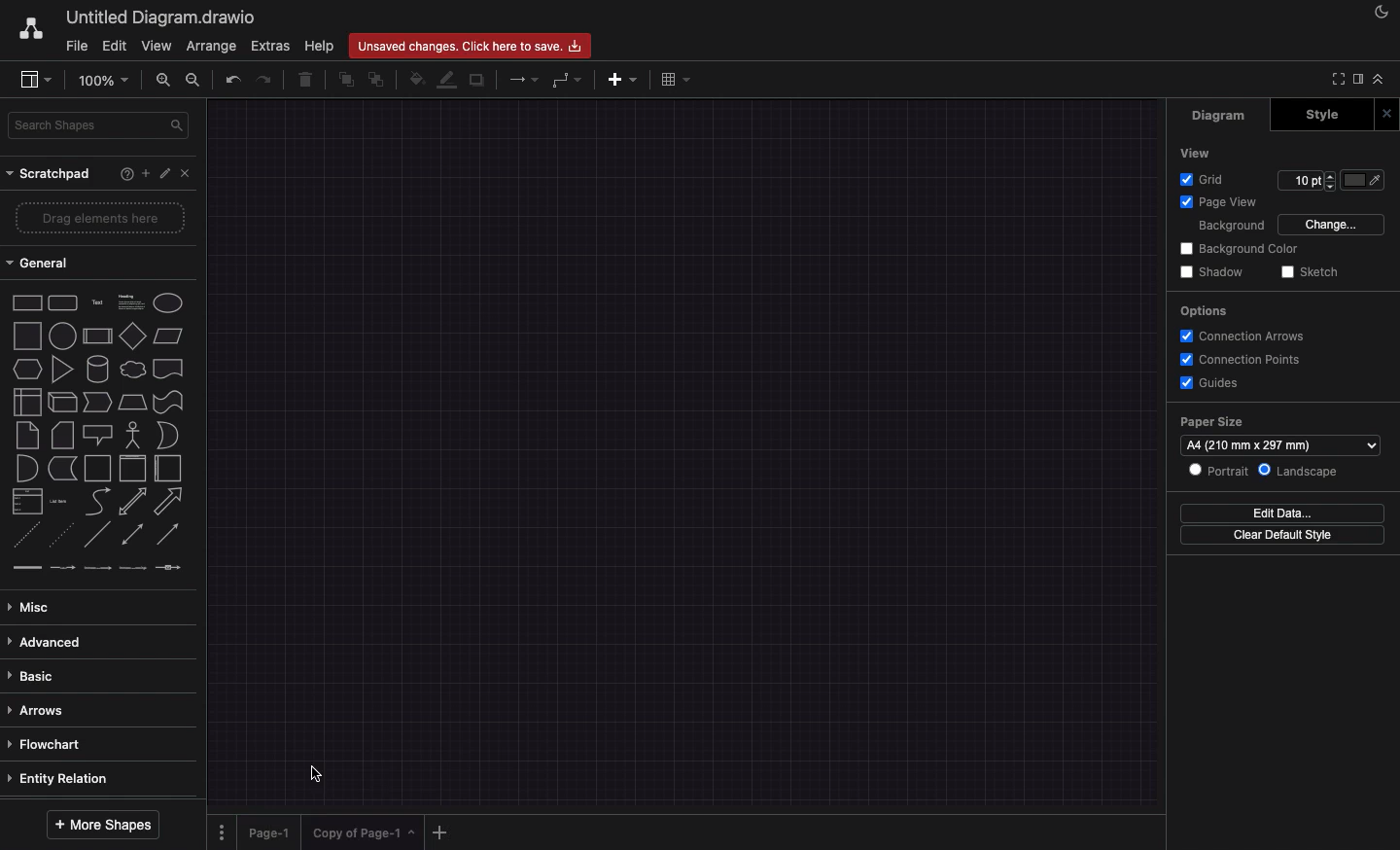 The image size is (1400, 850). What do you see at coordinates (1379, 79) in the screenshot?
I see `collapse` at bounding box center [1379, 79].